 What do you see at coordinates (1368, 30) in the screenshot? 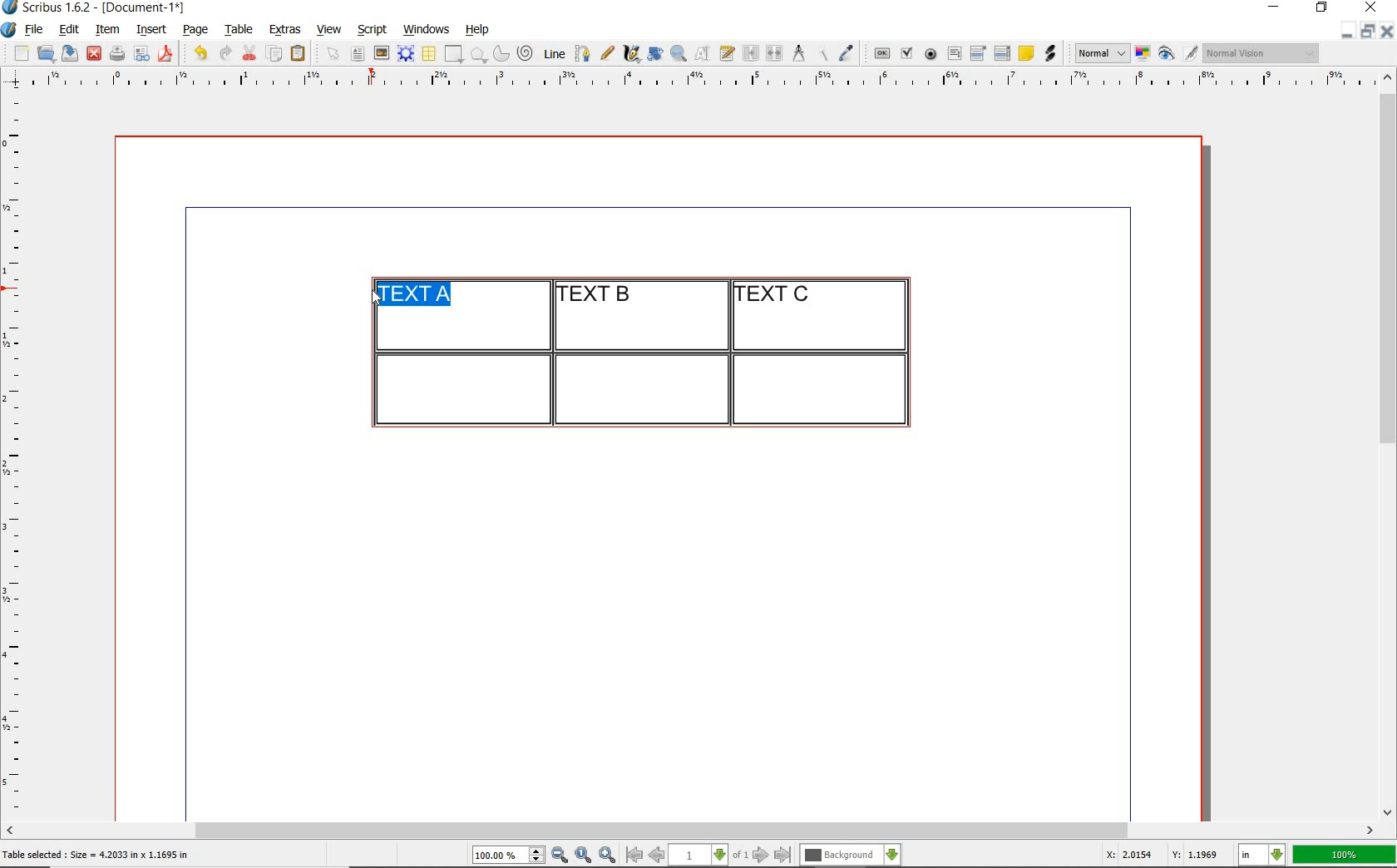
I see `restore` at bounding box center [1368, 30].